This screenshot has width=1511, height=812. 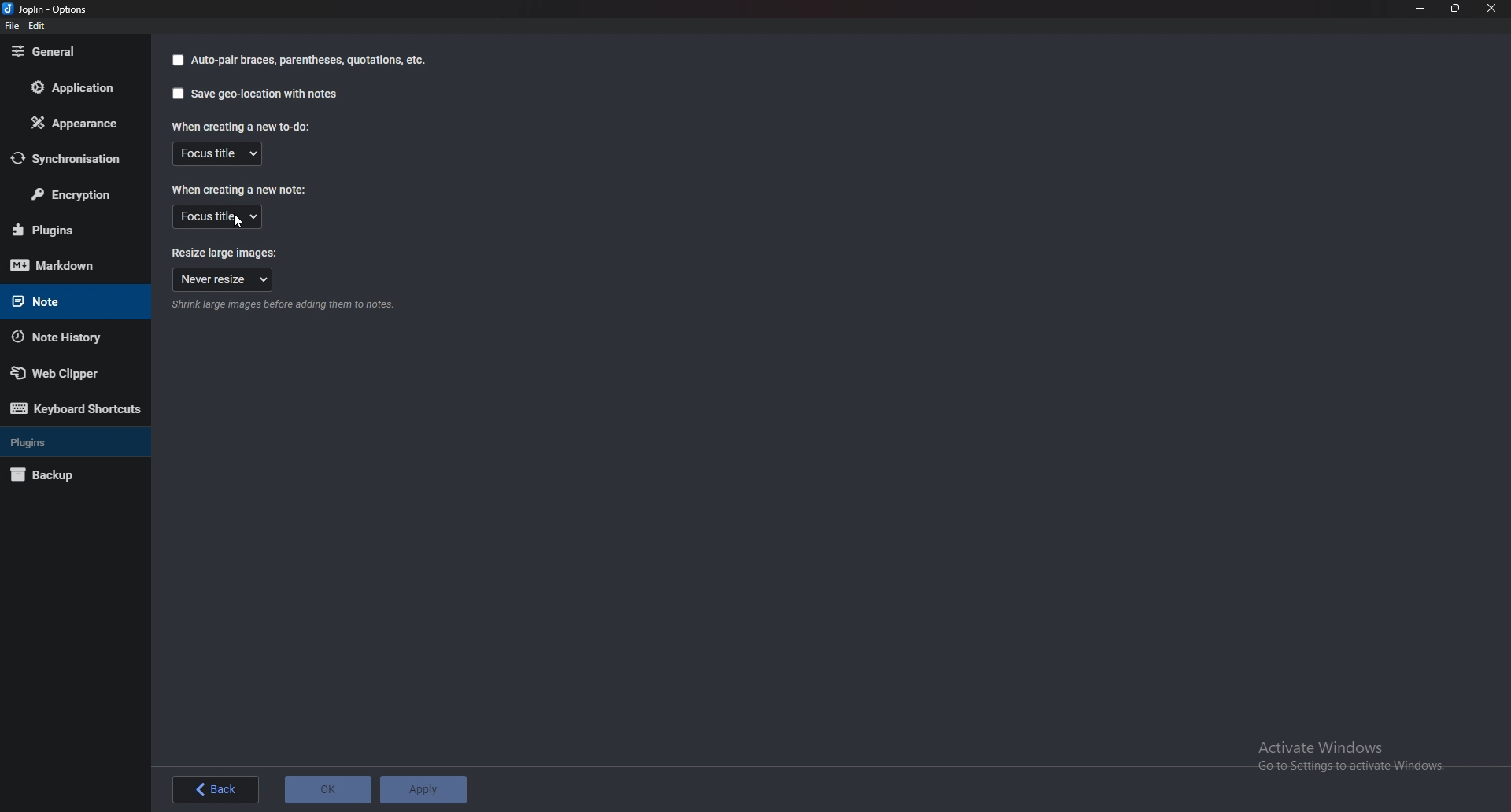 What do you see at coordinates (238, 126) in the screenshot?
I see `When creating a new todo` at bounding box center [238, 126].